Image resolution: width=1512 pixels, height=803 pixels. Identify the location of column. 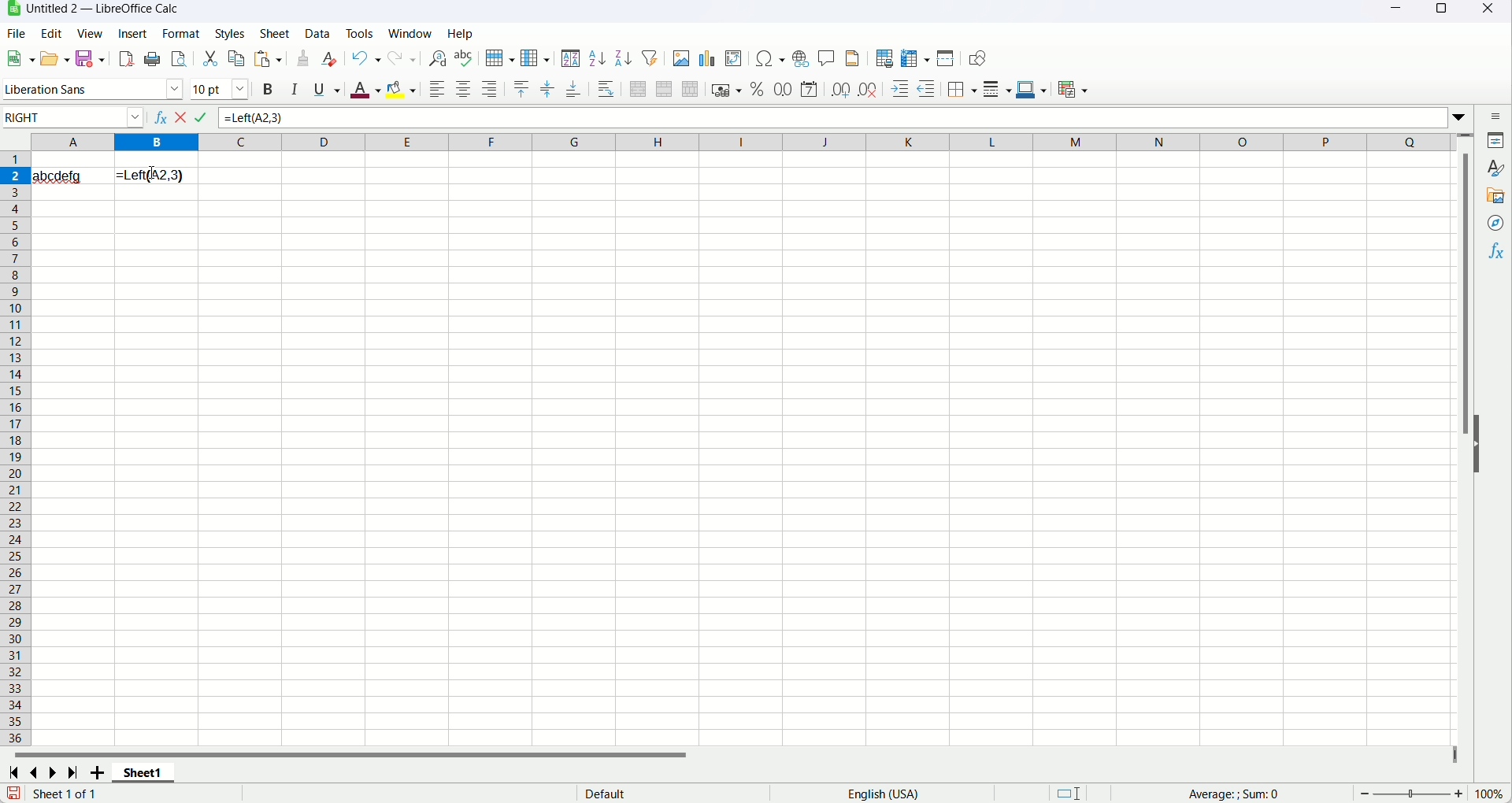
(743, 142).